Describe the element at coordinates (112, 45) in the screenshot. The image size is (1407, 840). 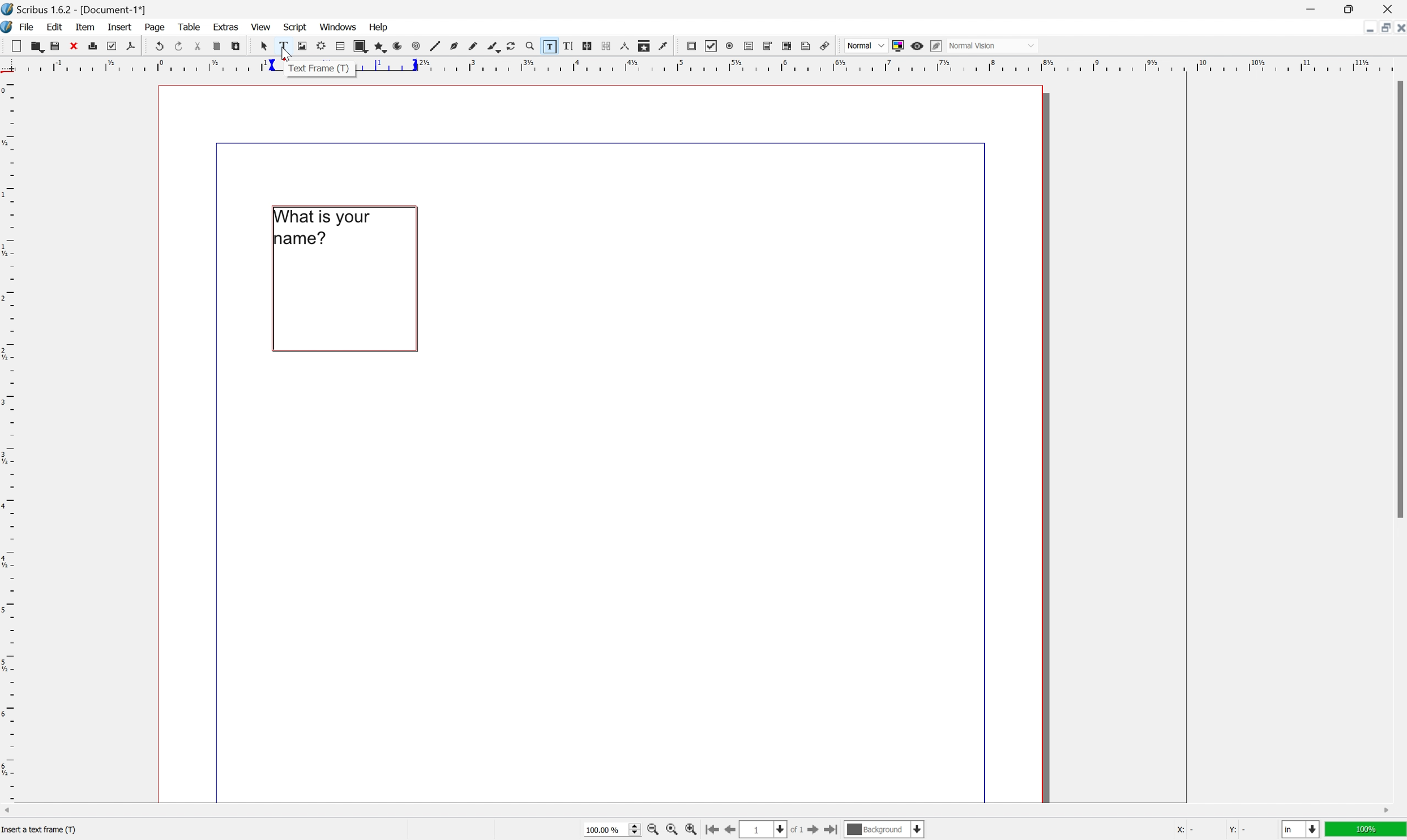
I see `preflight verifier` at that location.